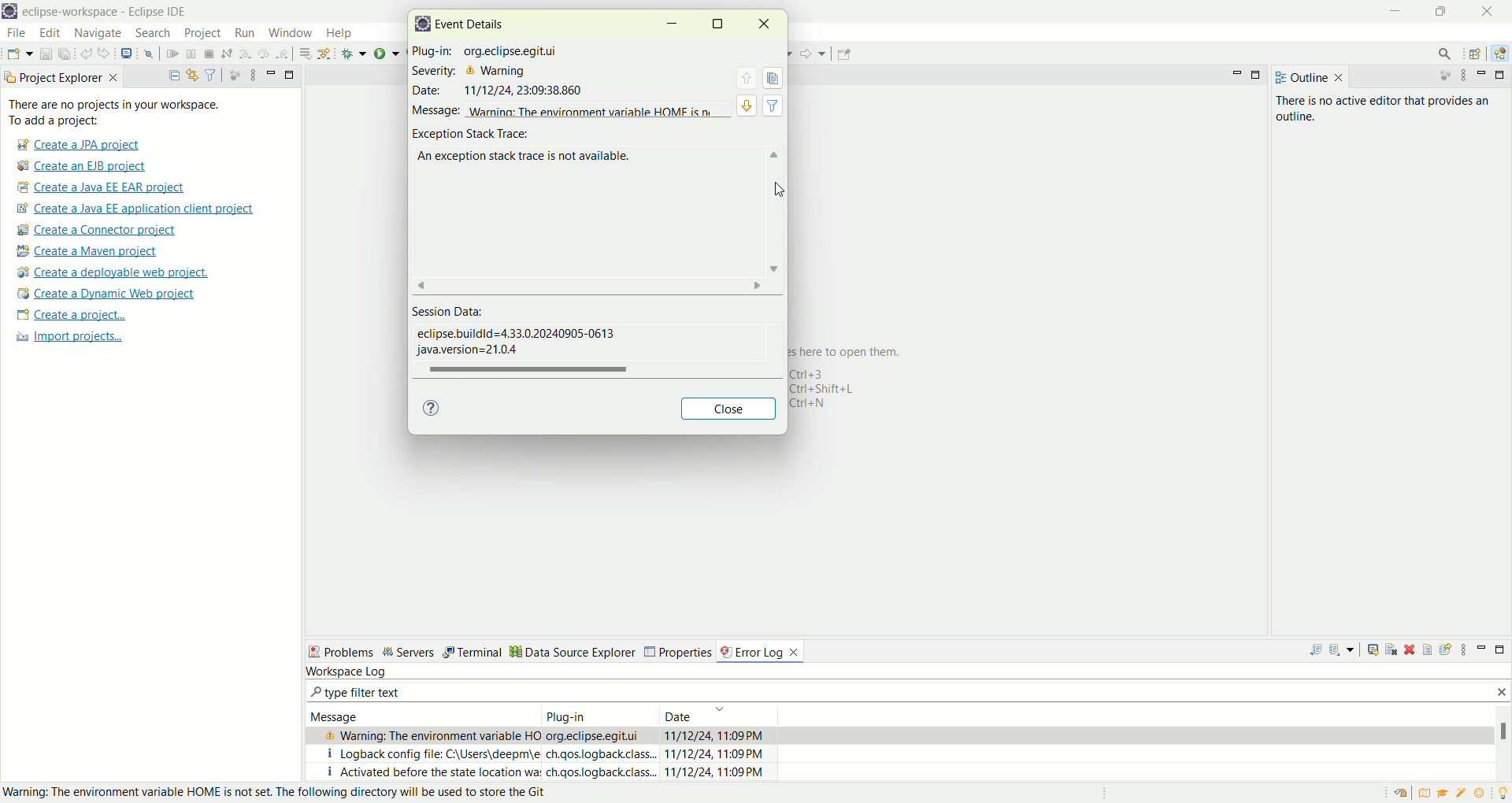  What do you see at coordinates (1307, 76) in the screenshot?
I see `outline` at bounding box center [1307, 76].